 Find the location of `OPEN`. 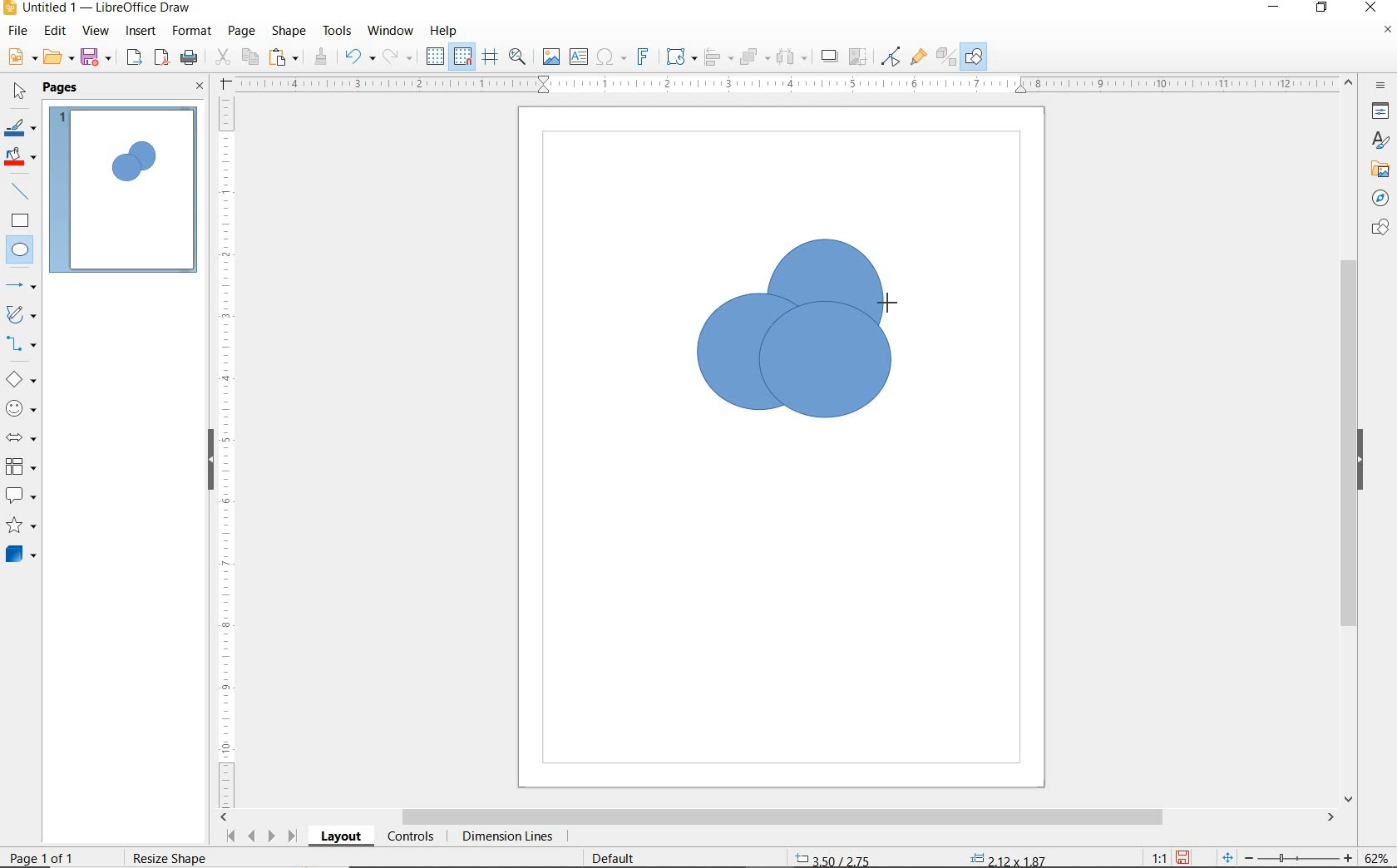

OPEN is located at coordinates (58, 59).